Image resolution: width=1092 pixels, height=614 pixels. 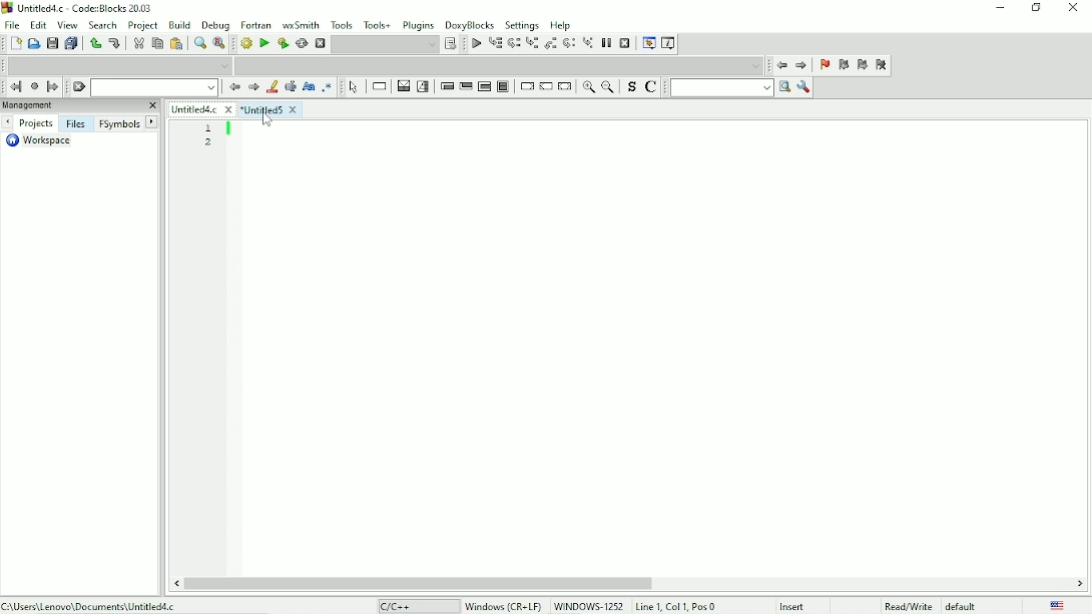 I want to click on close, so click(x=152, y=106).